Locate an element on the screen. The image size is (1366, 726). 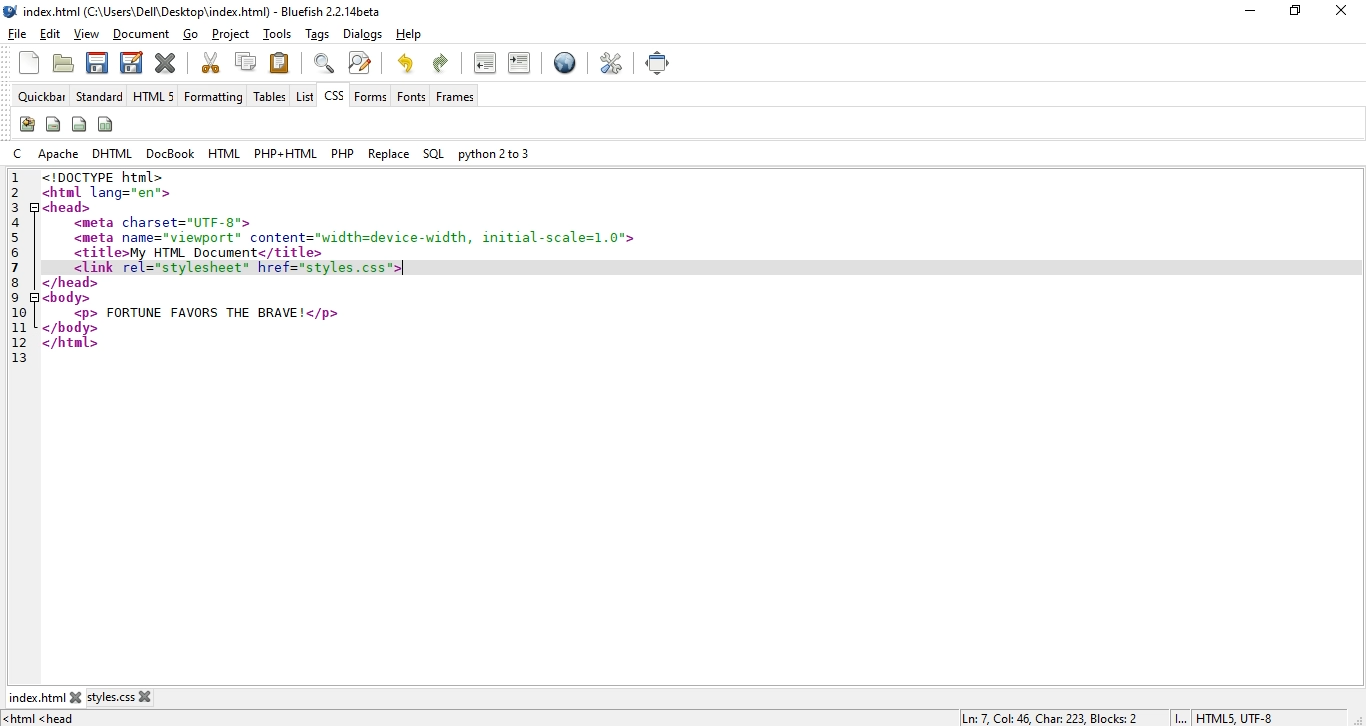
c is located at coordinates (21, 153).